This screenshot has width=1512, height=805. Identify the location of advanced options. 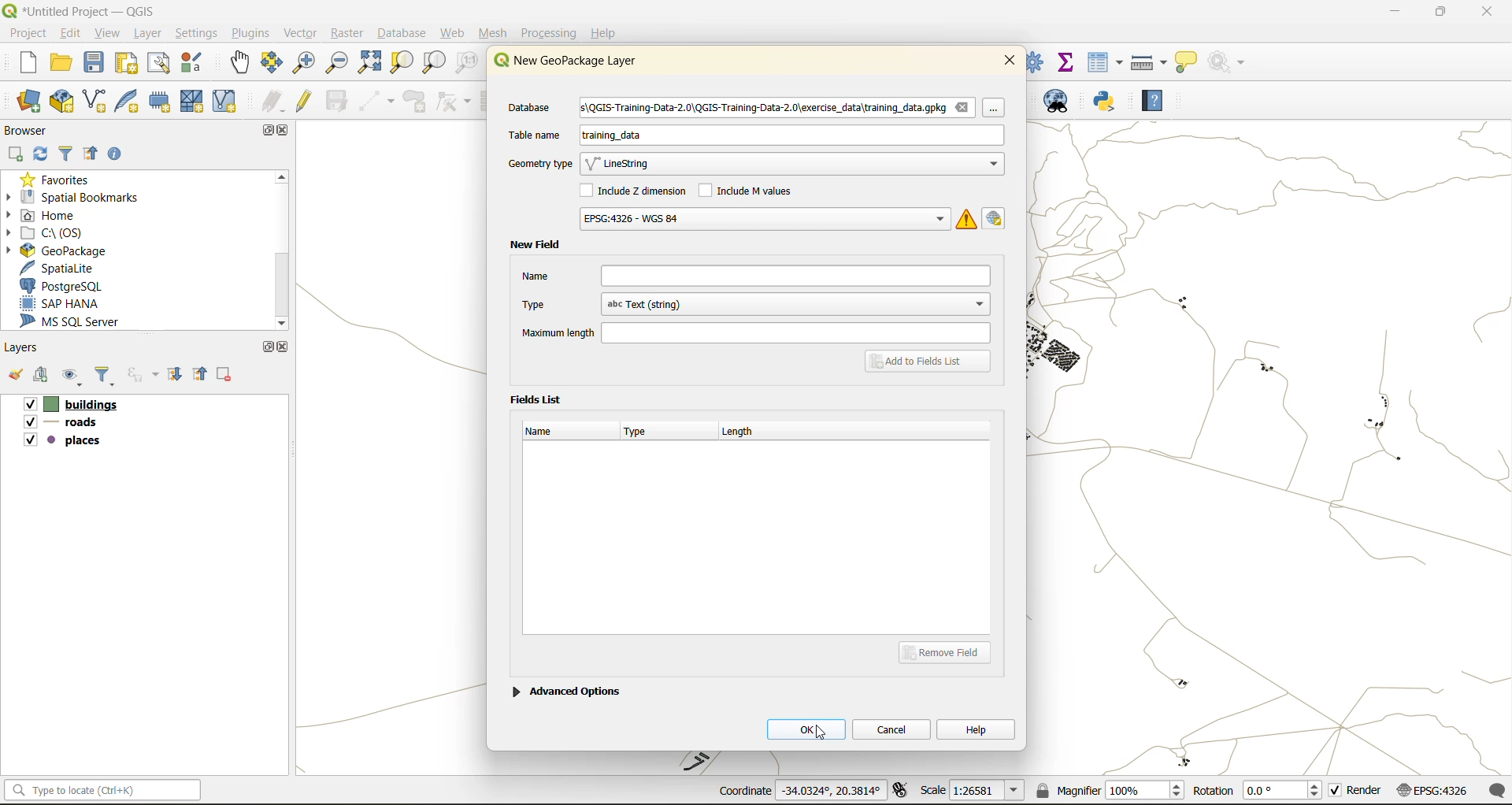
(566, 689).